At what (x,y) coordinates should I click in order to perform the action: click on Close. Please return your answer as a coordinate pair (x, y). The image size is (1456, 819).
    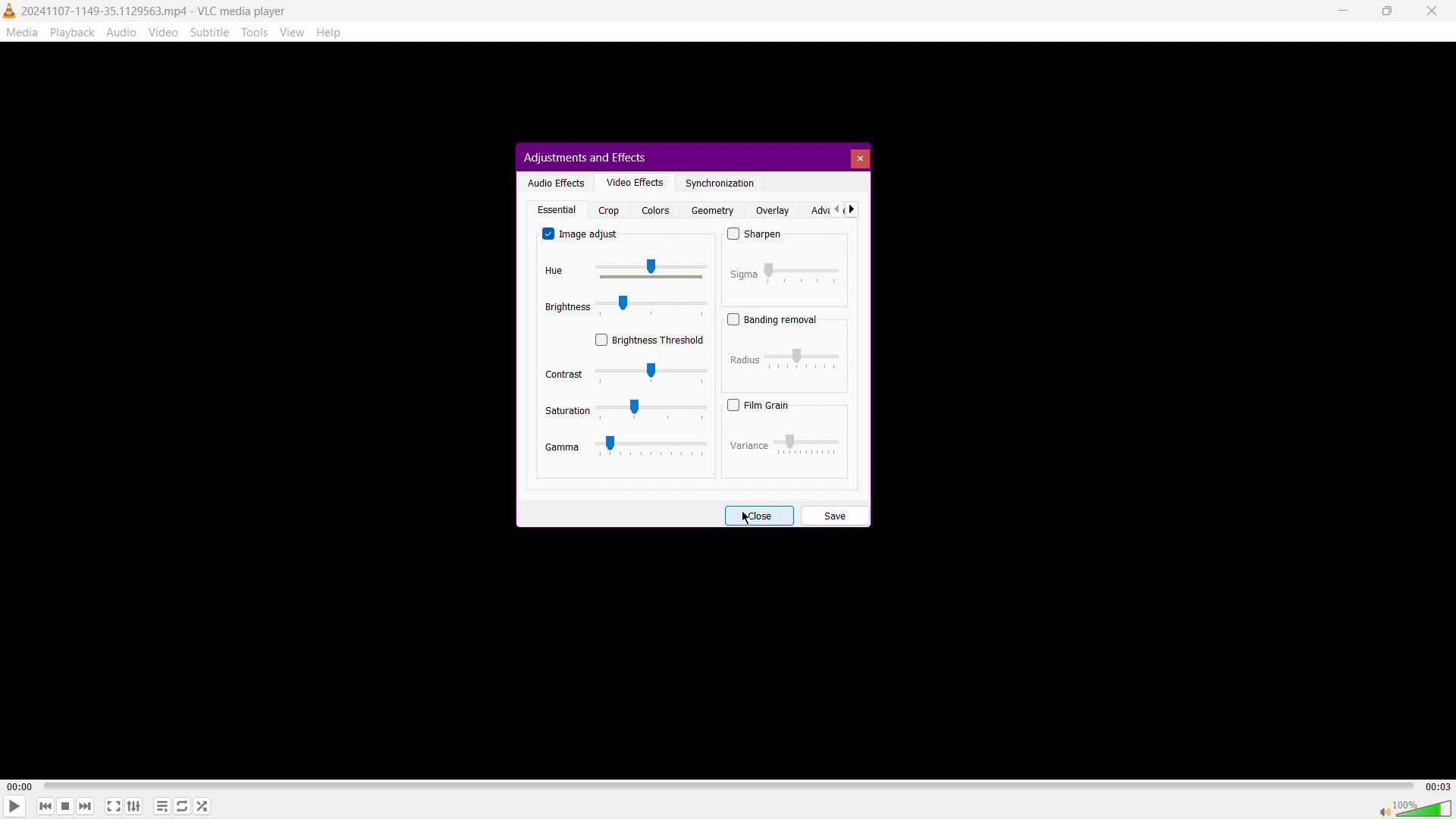
    Looking at the image, I should click on (758, 514).